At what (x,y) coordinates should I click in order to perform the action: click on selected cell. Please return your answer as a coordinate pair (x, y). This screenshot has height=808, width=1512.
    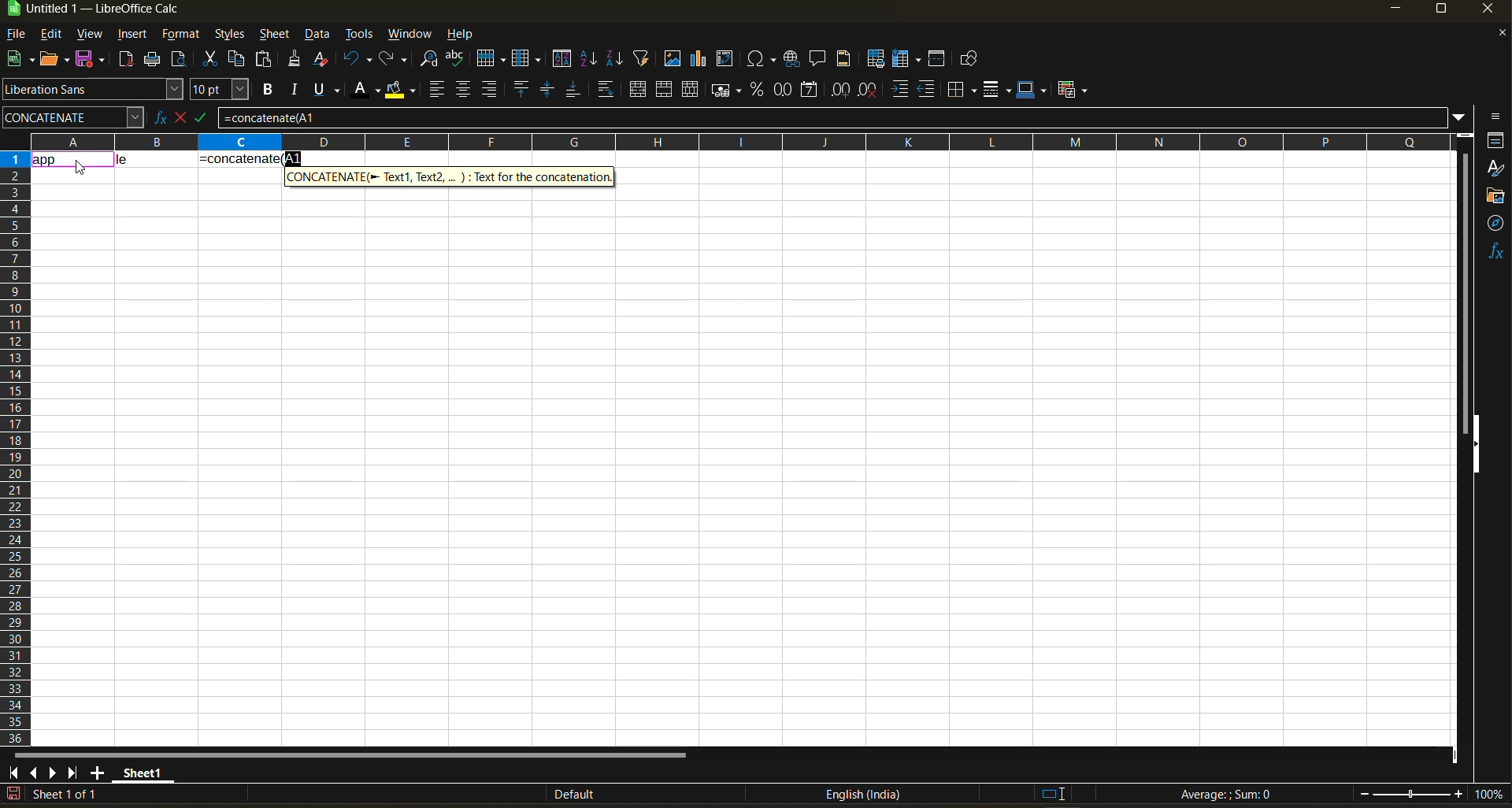
    Looking at the image, I should click on (72, 158).